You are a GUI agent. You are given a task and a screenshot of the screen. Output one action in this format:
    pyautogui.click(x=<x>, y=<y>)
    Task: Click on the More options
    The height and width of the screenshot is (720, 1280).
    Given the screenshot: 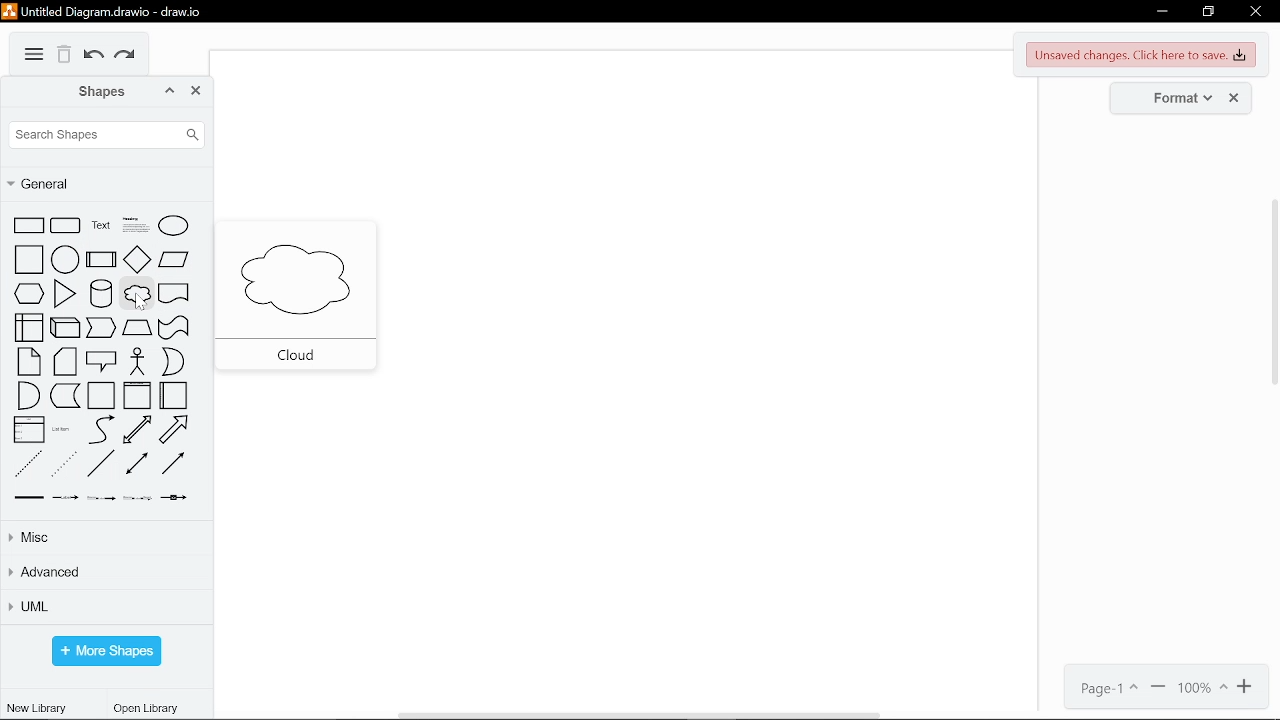 What is the action you would take?
    pyautogui.click(x=34, y=55)
    